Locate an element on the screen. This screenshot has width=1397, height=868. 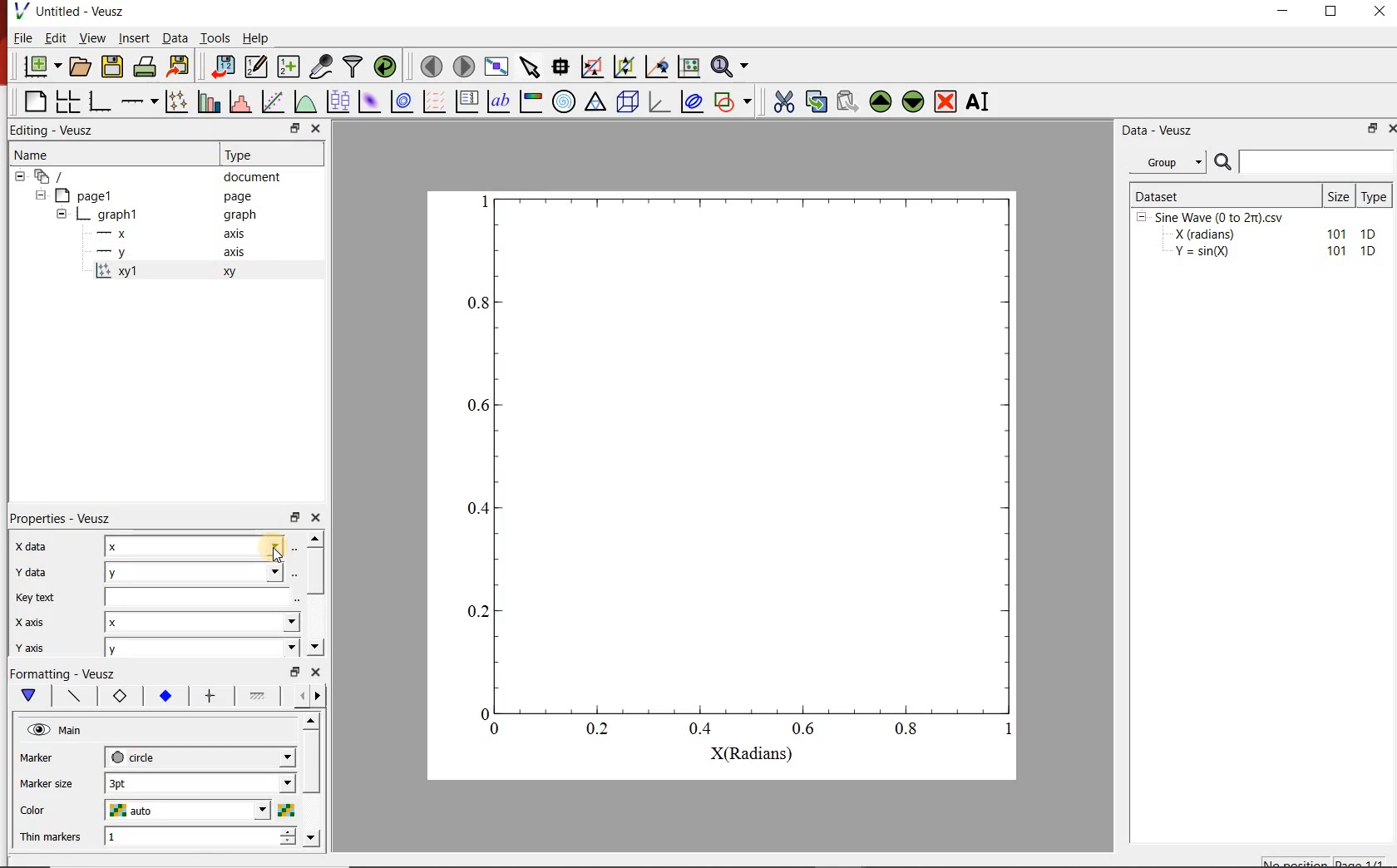
Down is located at coordinates (315, 647).